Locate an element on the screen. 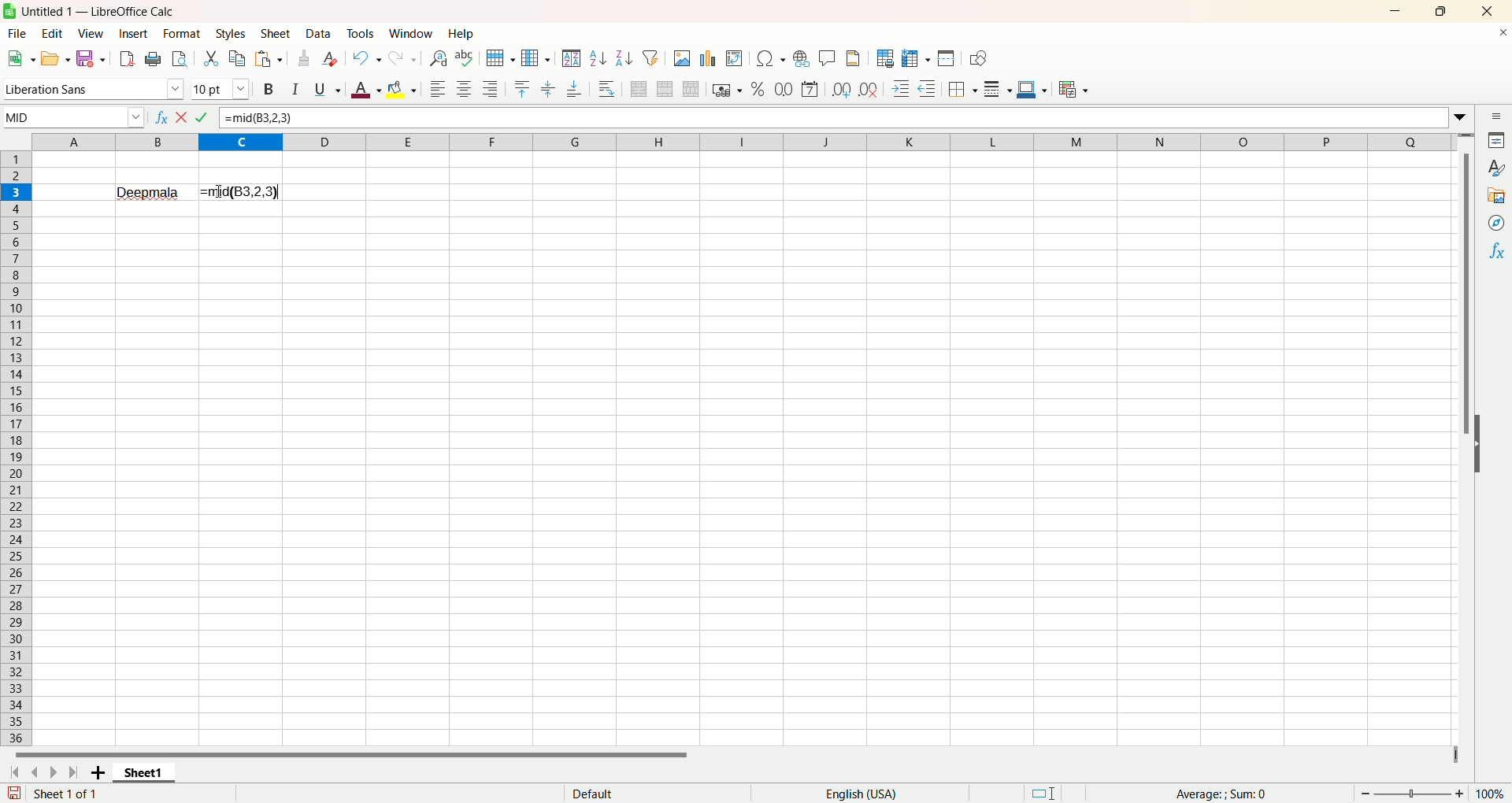 This screenshot has width=1512, height=803. Text language is located at coordinates (862, 794).